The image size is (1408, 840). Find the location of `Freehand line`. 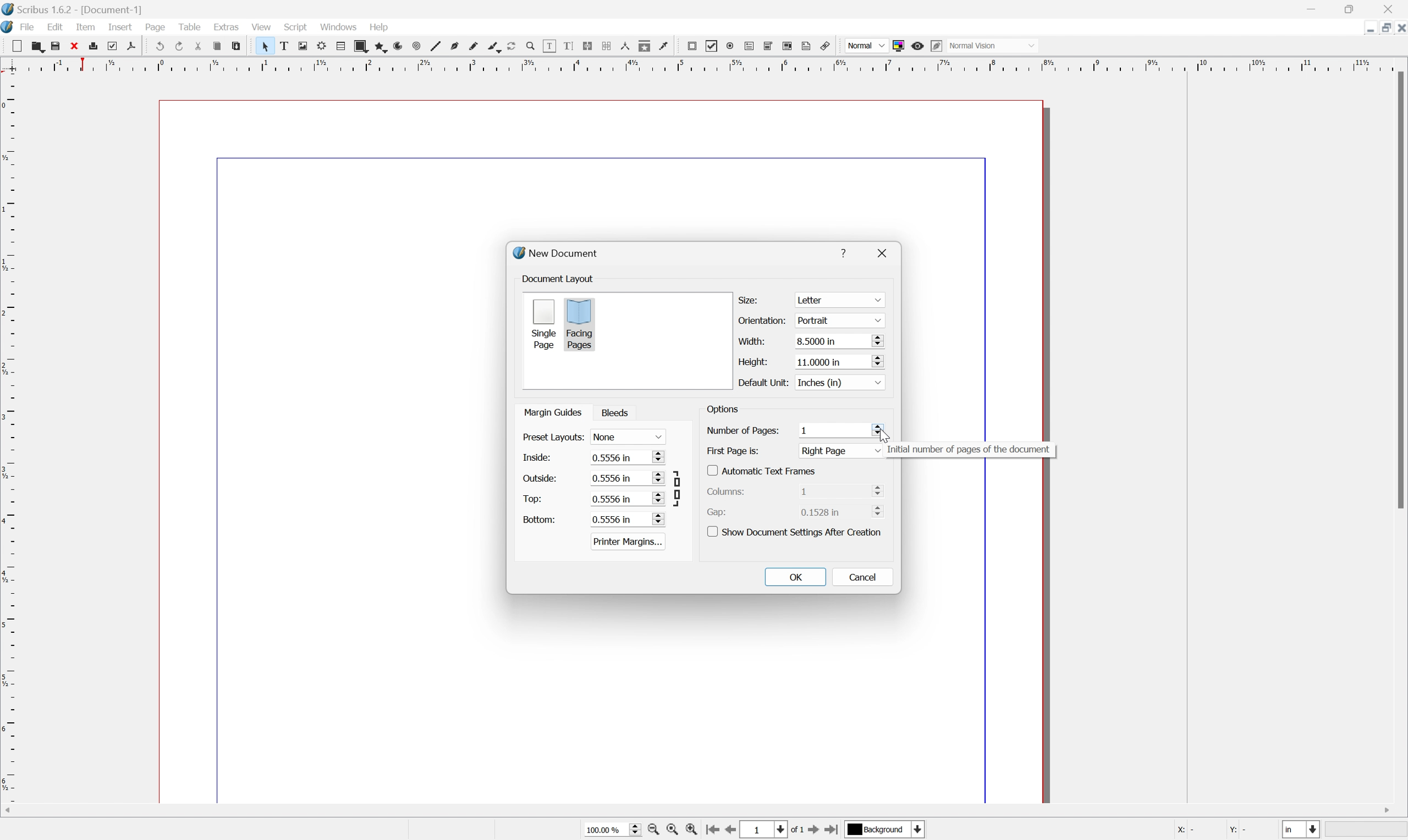

Freehand line is located at coordinates (472, 46).